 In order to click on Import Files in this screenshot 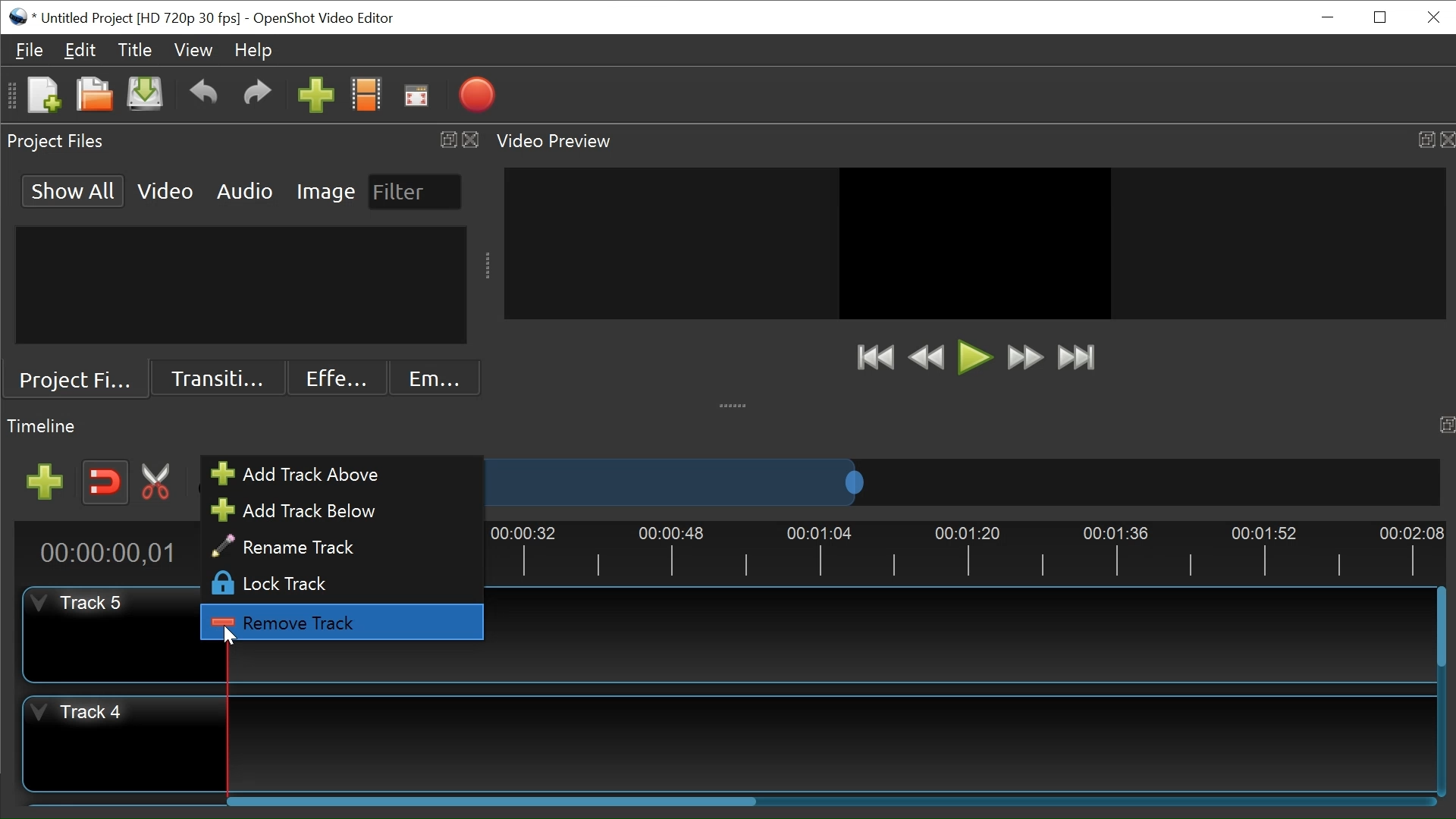, I will do `click(317, 97)`.